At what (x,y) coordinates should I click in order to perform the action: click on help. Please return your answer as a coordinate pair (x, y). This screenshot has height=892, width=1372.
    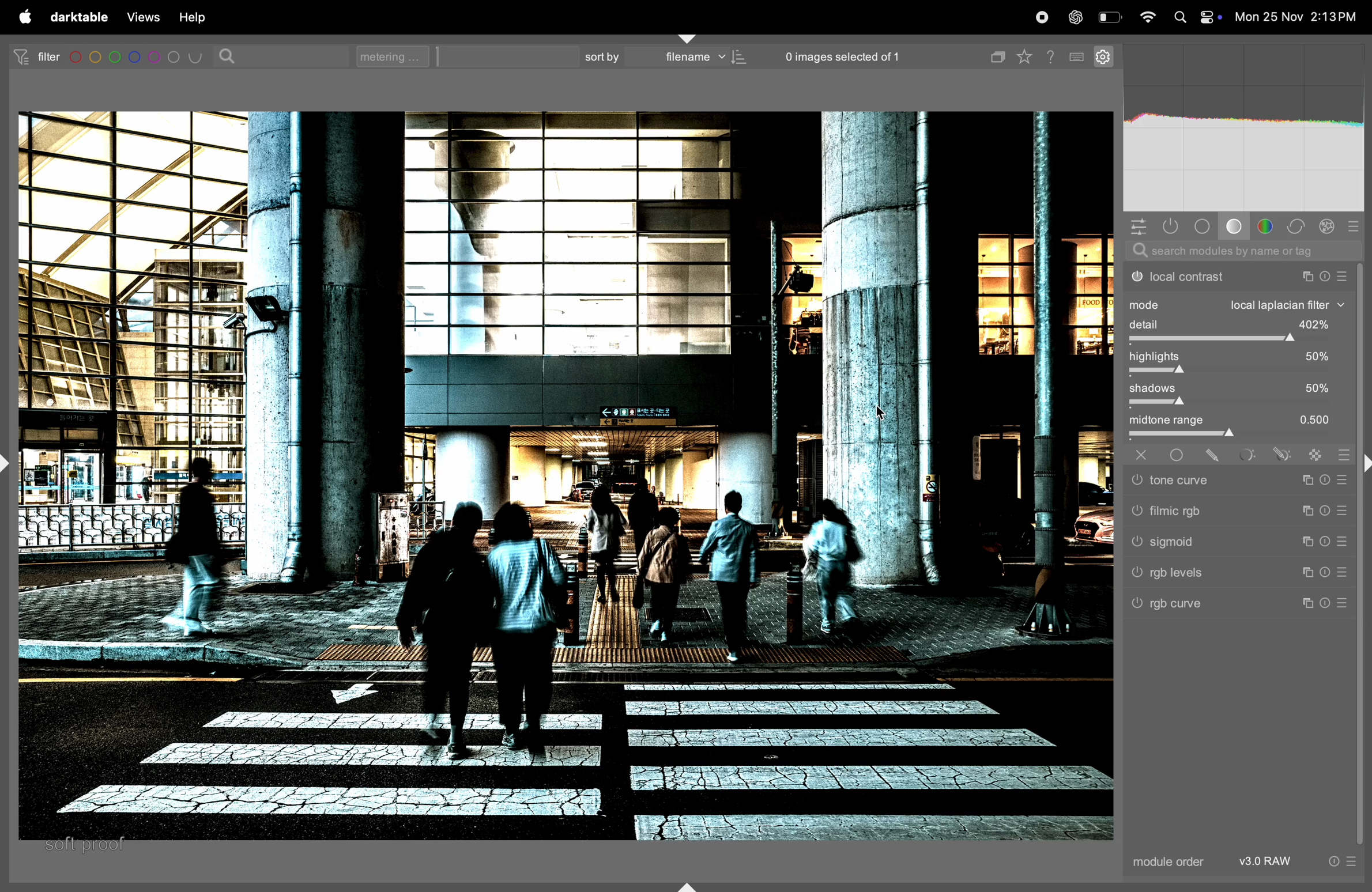
    Looking at the image, I should click on (193, 17).